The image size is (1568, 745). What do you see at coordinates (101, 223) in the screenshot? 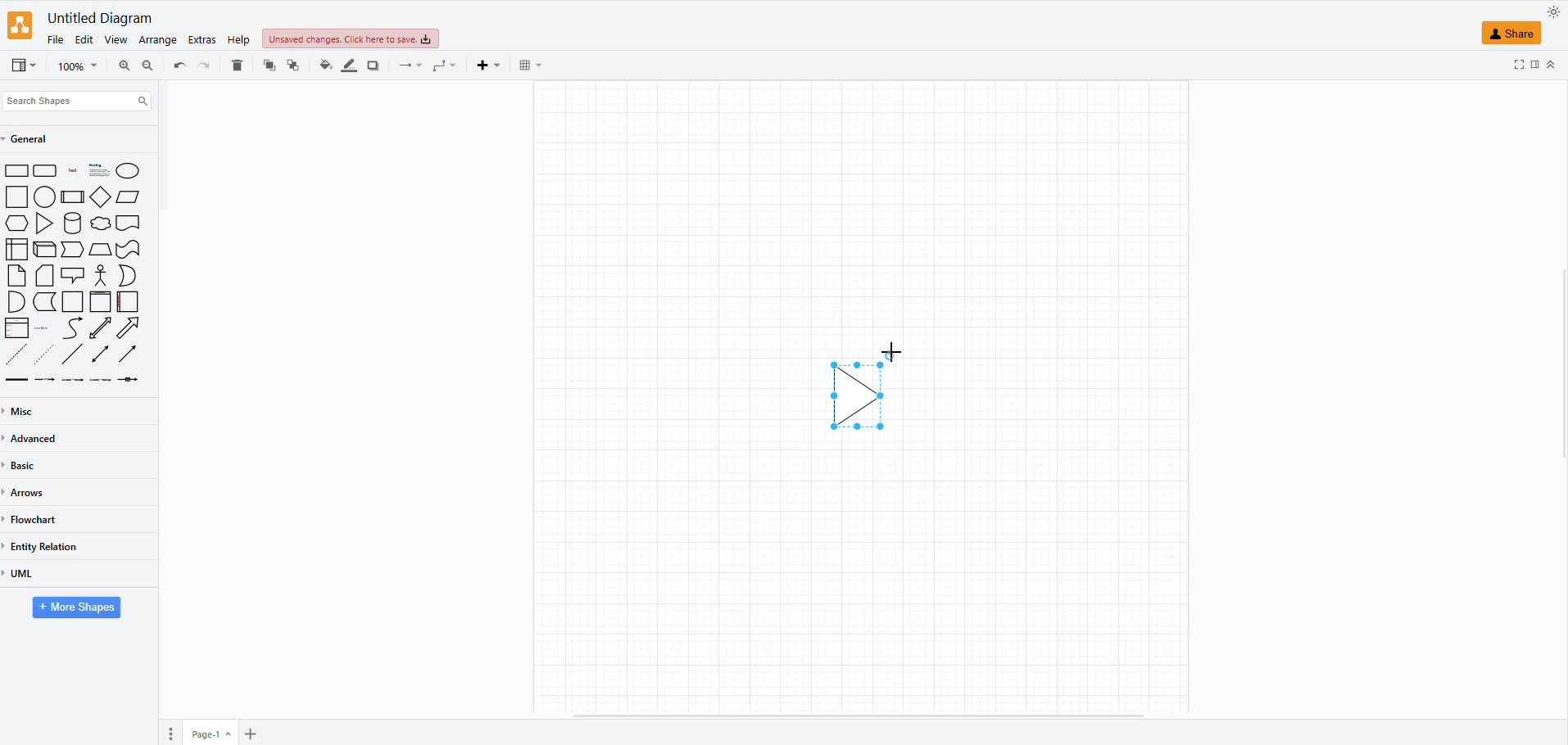
I see `Chat Bubble` at bounding box center [101, 223].